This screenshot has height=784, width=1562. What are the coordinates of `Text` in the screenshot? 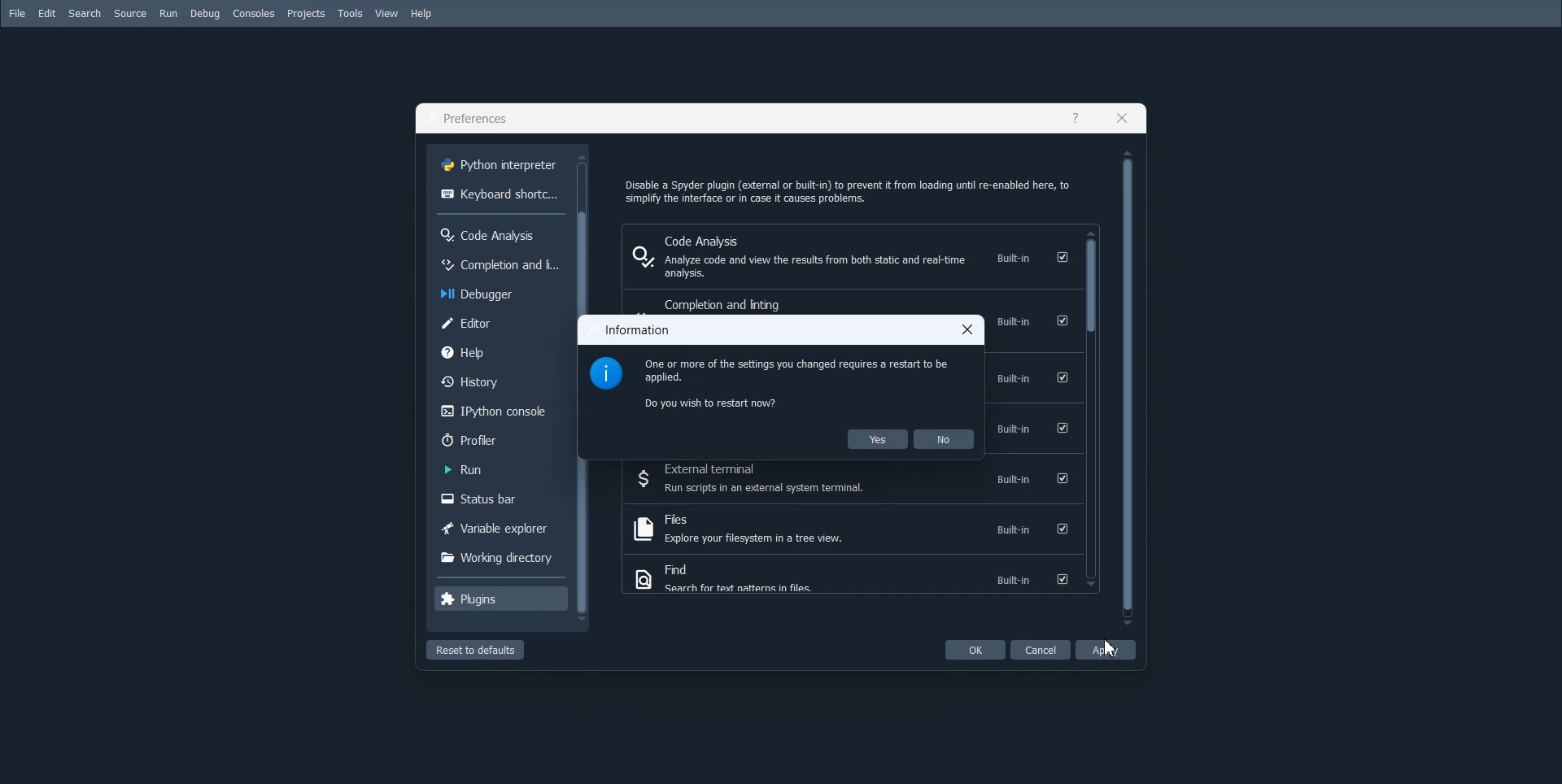 It's located at (847, 188).